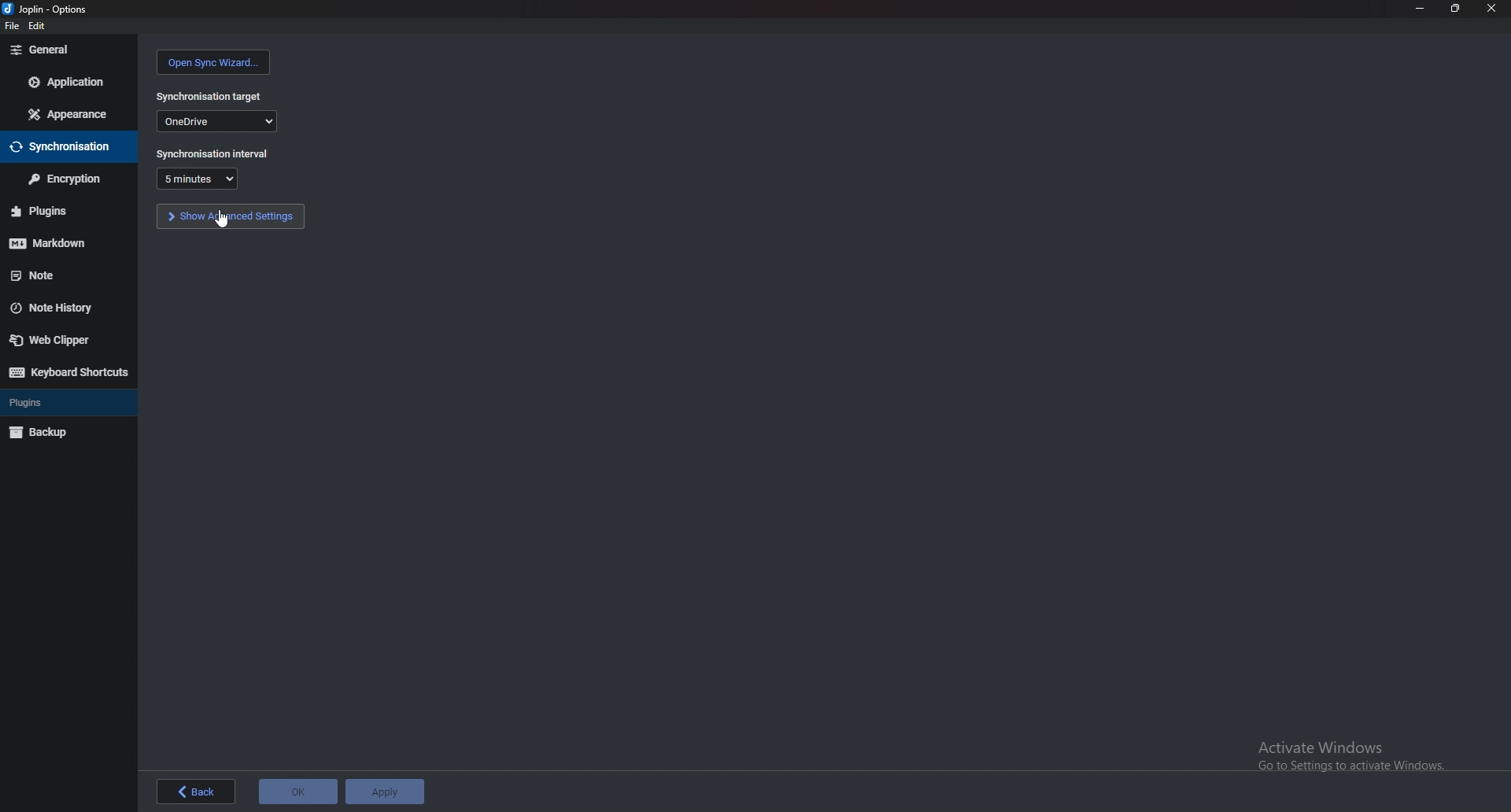 The width and height of the screenshot is (1511, 812). I want to click on apply, so click(385, 792).